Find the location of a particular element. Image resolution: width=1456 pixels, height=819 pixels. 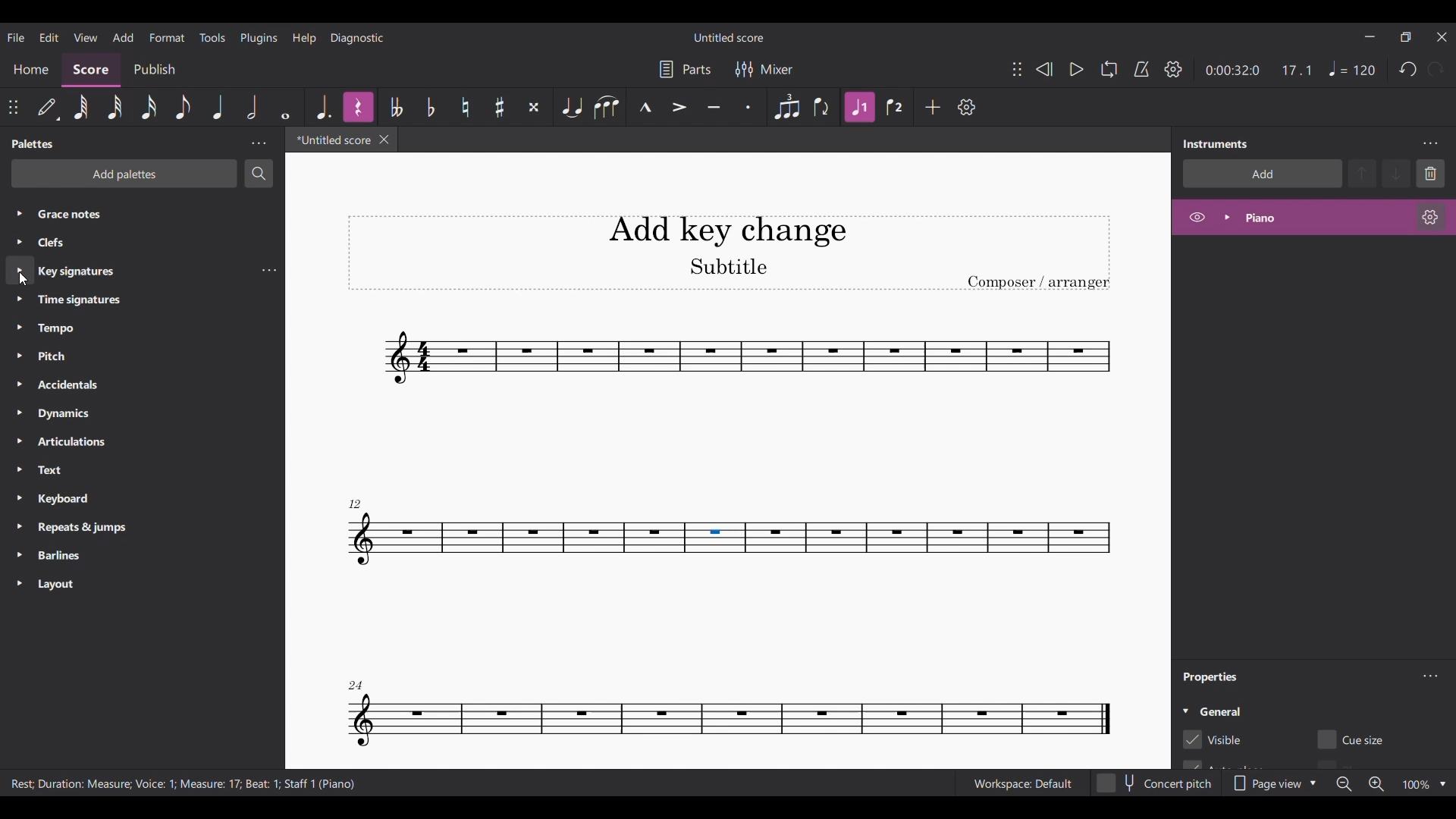

Music score duration is located at coordinates (1260, 70).